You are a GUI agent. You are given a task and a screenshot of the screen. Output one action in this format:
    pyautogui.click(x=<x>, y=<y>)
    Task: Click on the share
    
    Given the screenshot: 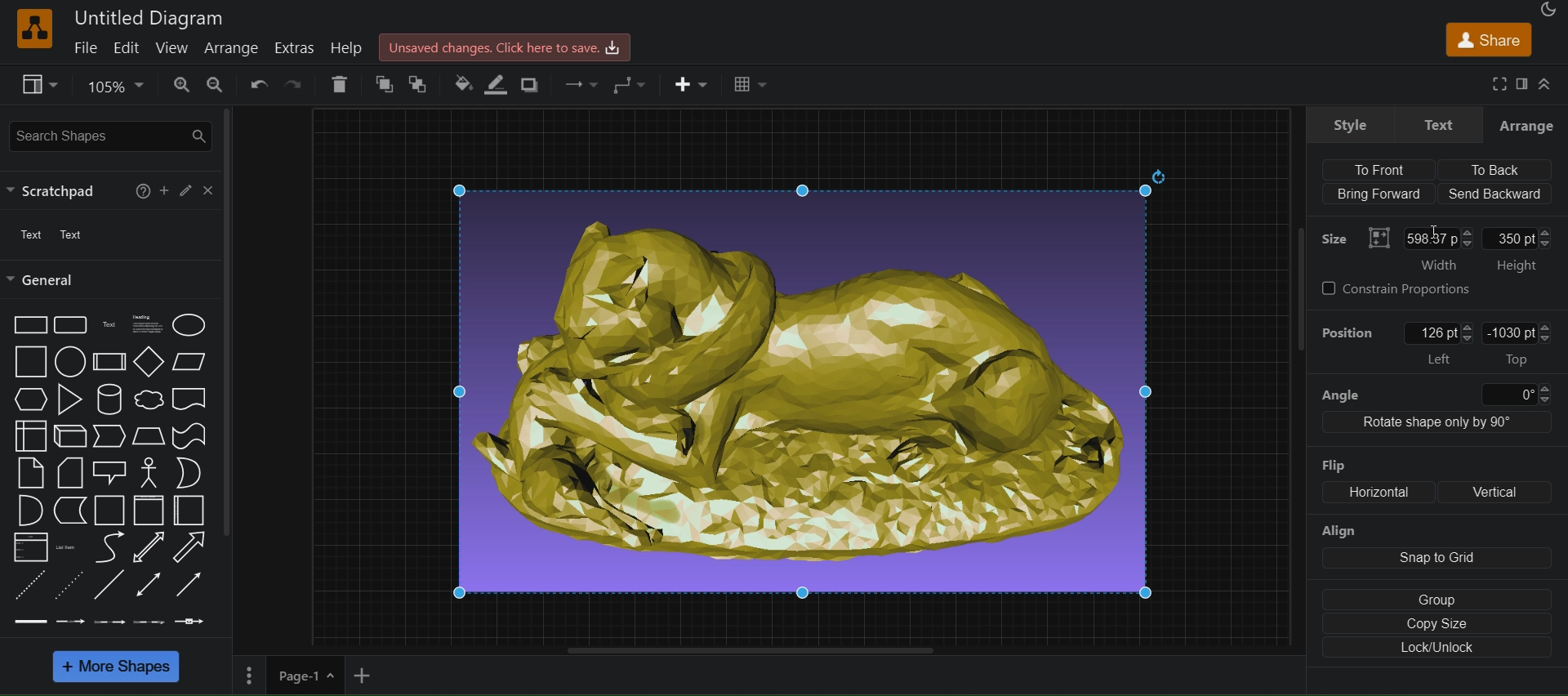 What is the action you would take?
    pyautogui.click(x=1486, y=39)
    